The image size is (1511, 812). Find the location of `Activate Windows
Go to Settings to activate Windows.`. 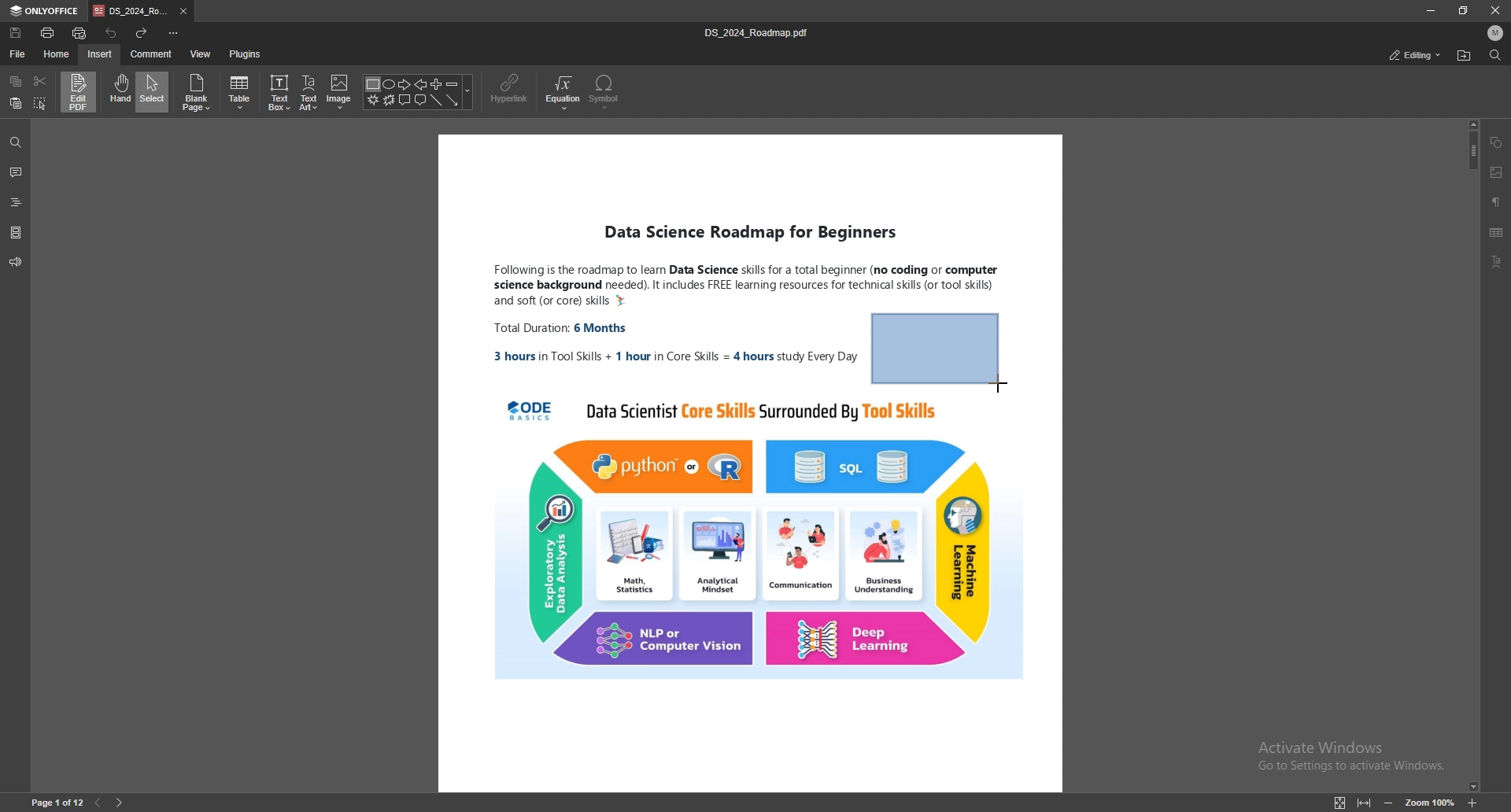

Activate Windows
Go to Settings to activate Windows. is located at coordinates (1346, 757).